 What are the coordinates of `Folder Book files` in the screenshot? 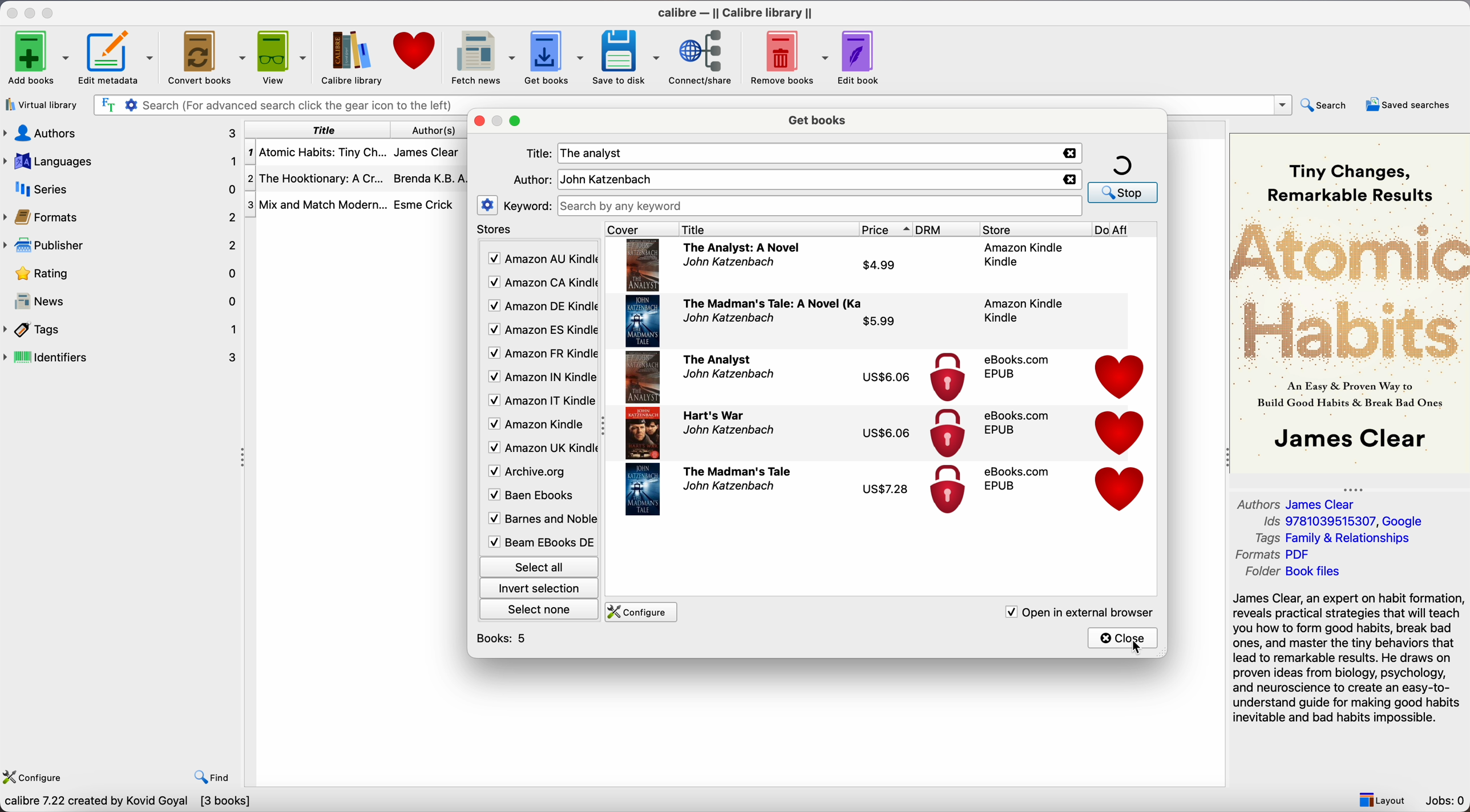 It's located at (1289, 573).